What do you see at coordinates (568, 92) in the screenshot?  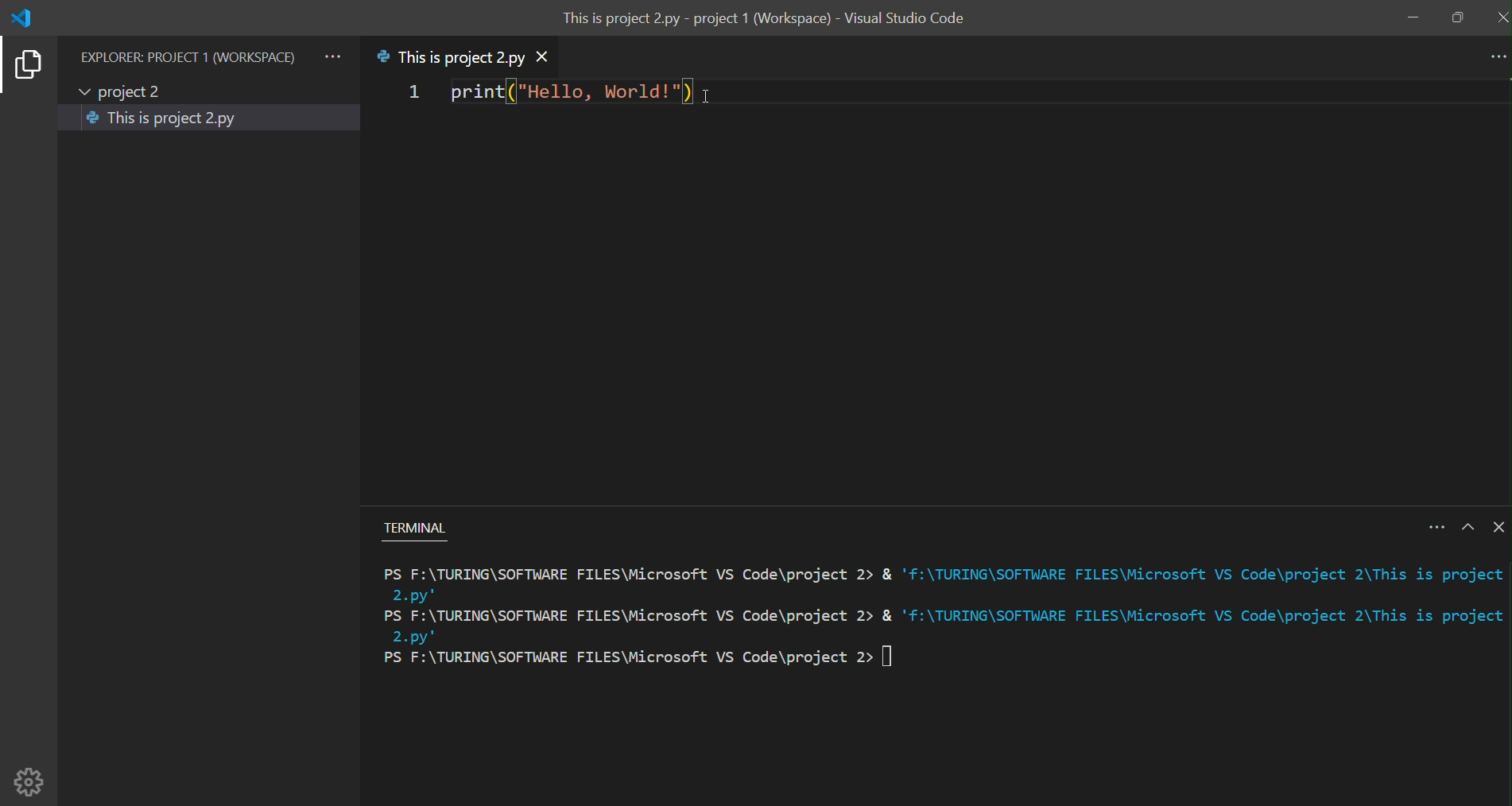 I see `code` at bounding box center [568, 92].